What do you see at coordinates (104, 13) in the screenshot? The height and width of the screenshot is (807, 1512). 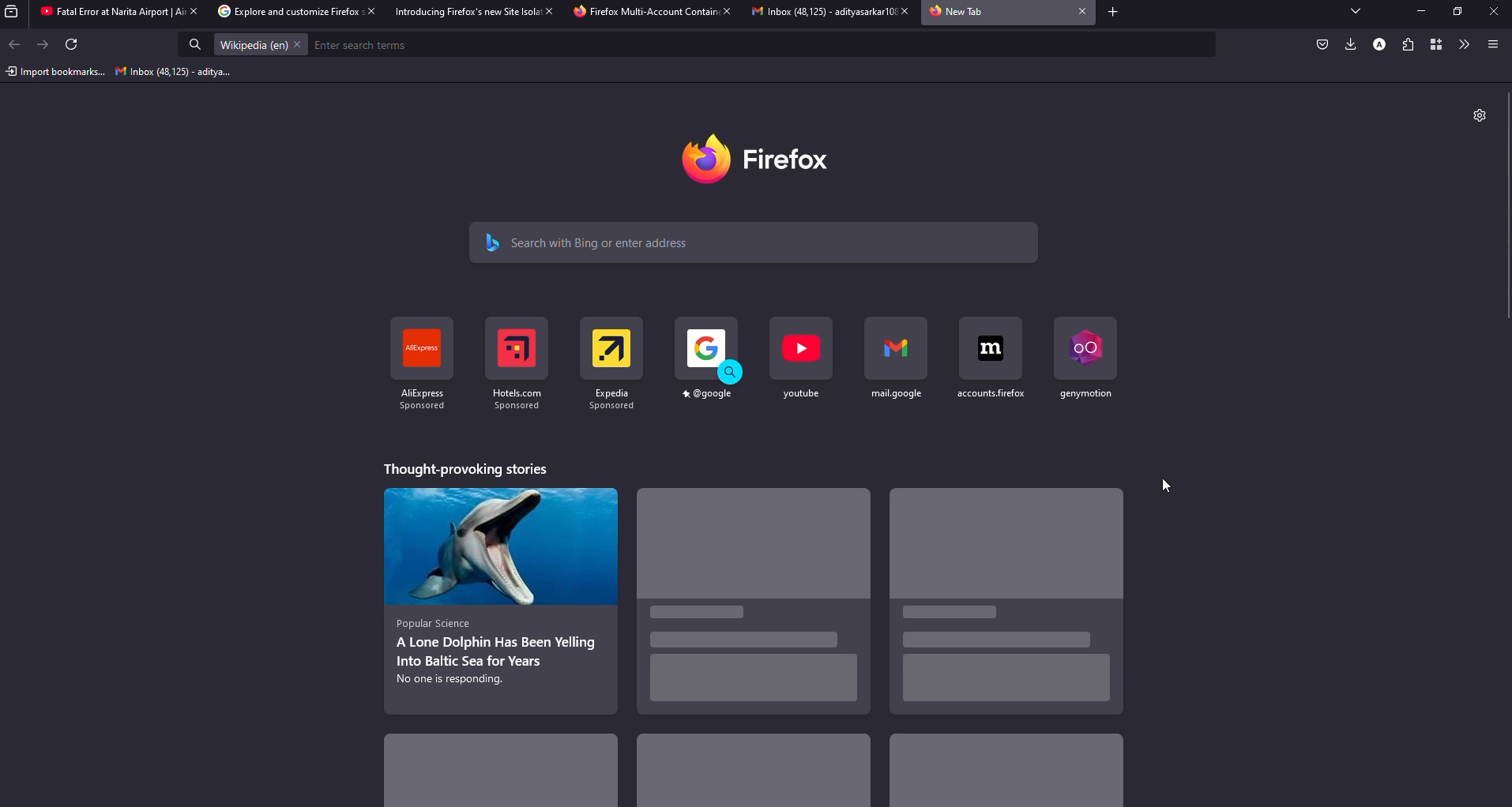 I see `tab` at bounding box center [104, 13].